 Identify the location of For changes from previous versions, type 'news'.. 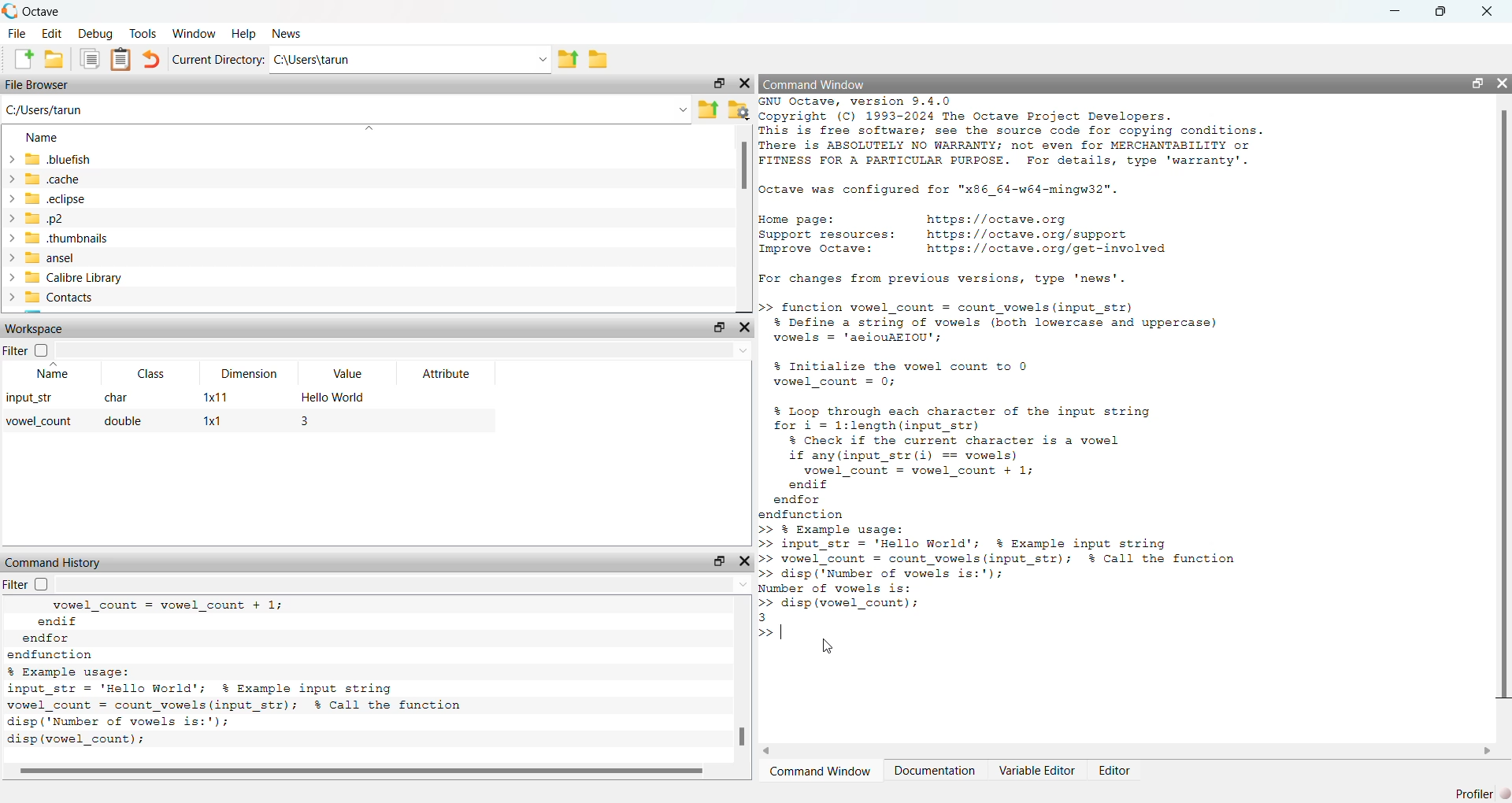
(949, 280).